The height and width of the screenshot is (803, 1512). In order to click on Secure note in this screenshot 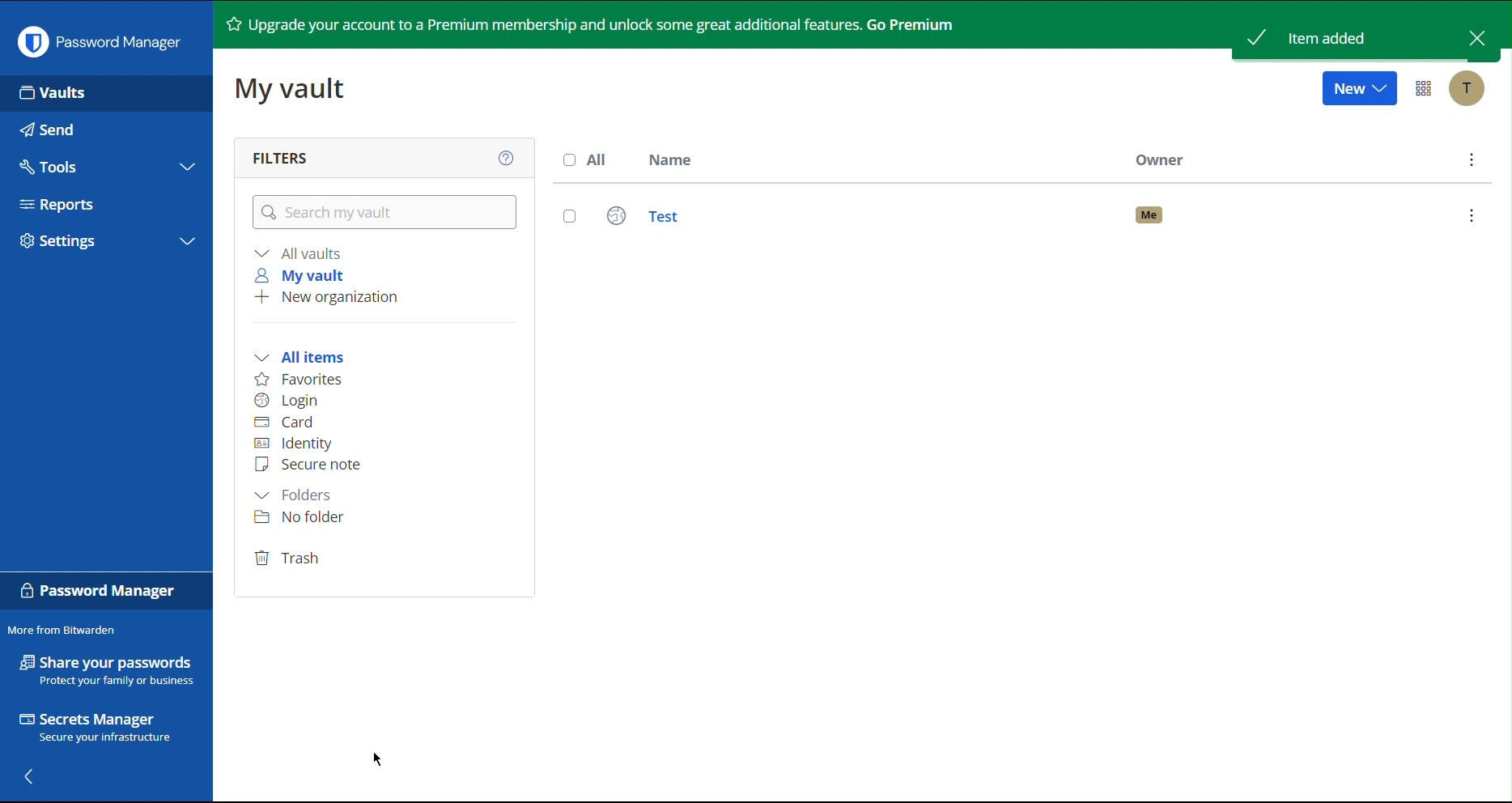, I will do `click(308, 462)`.